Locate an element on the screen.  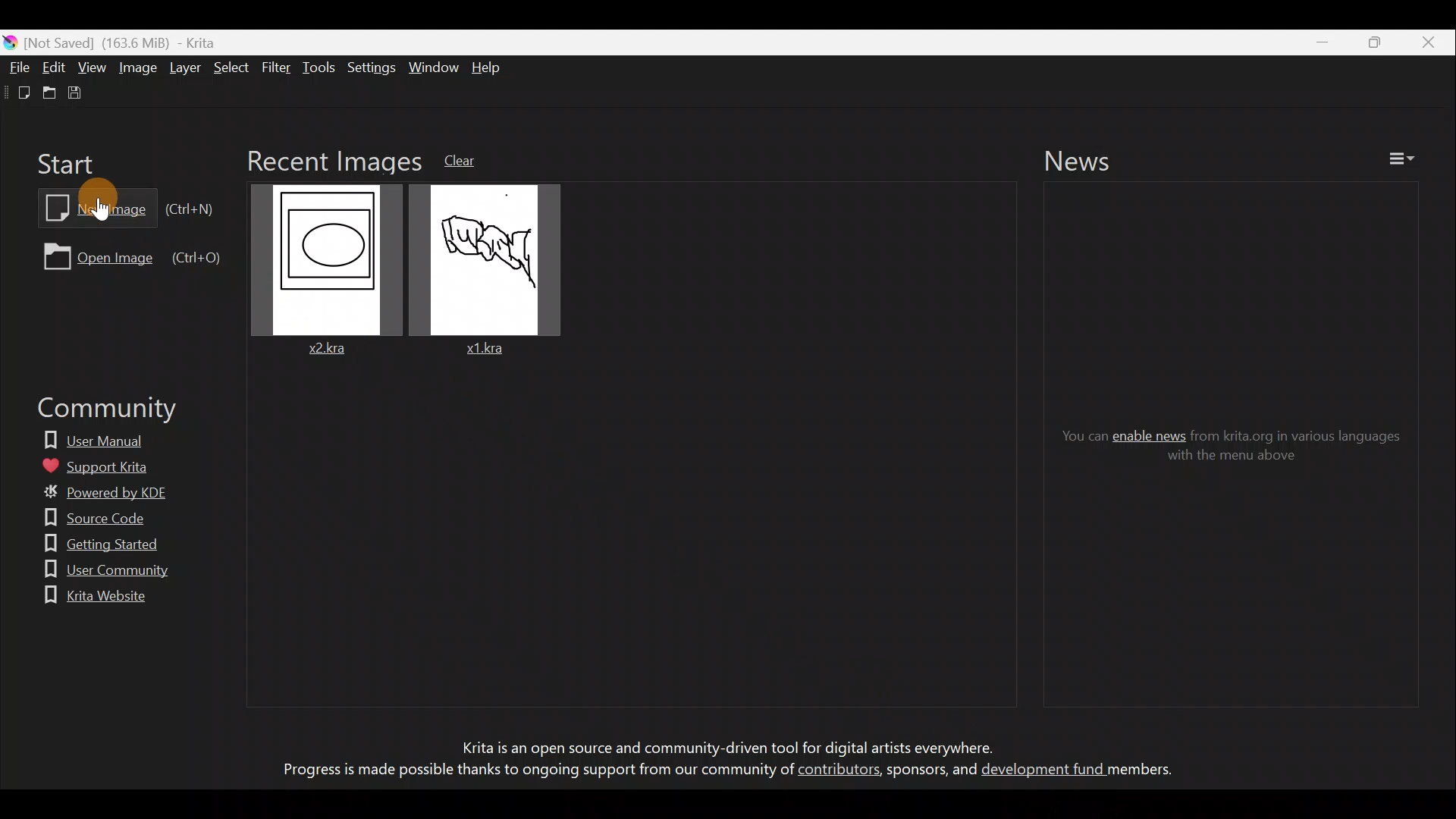
User community is located at coordinates (97, 572).